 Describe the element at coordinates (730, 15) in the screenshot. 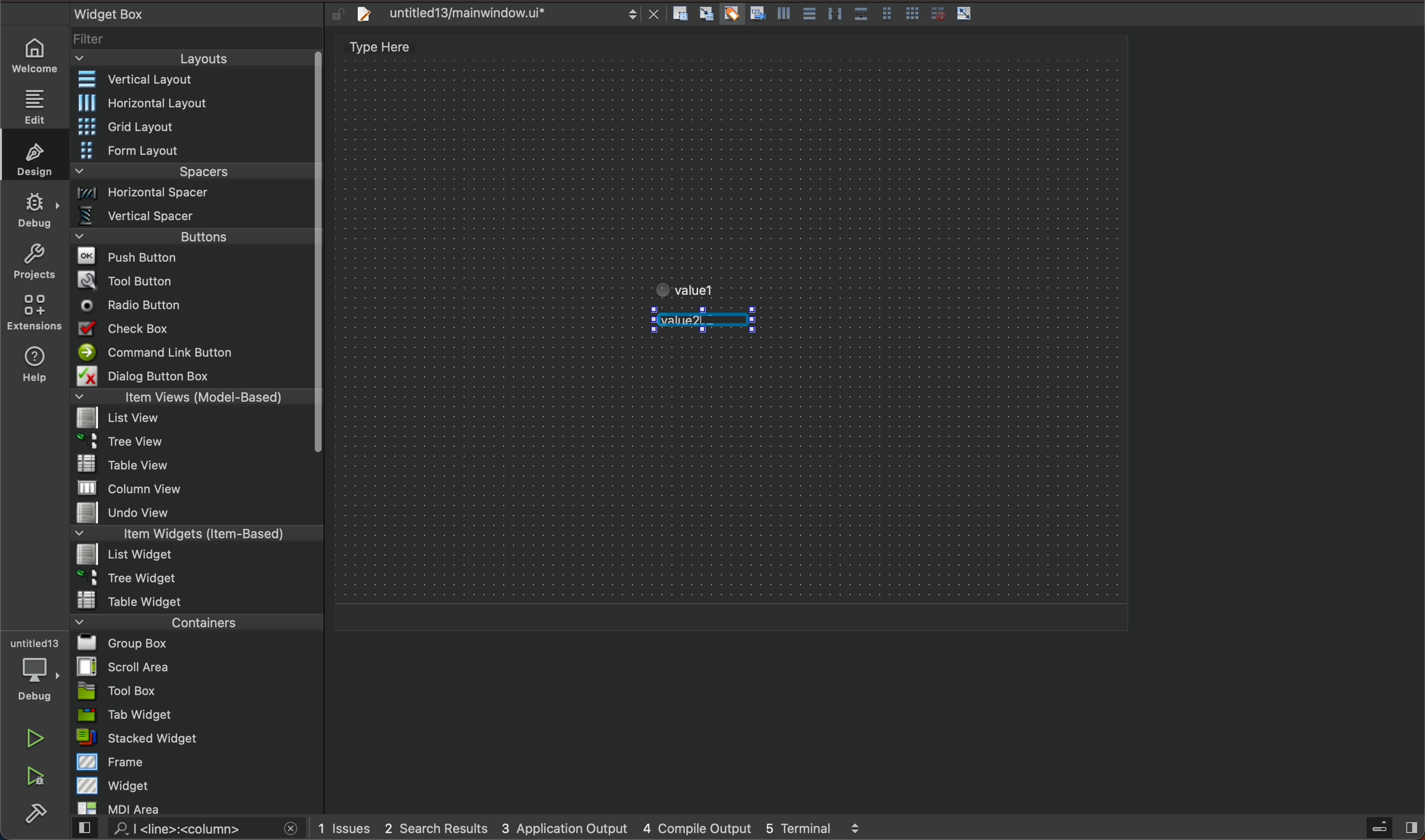

I see `` at that location.